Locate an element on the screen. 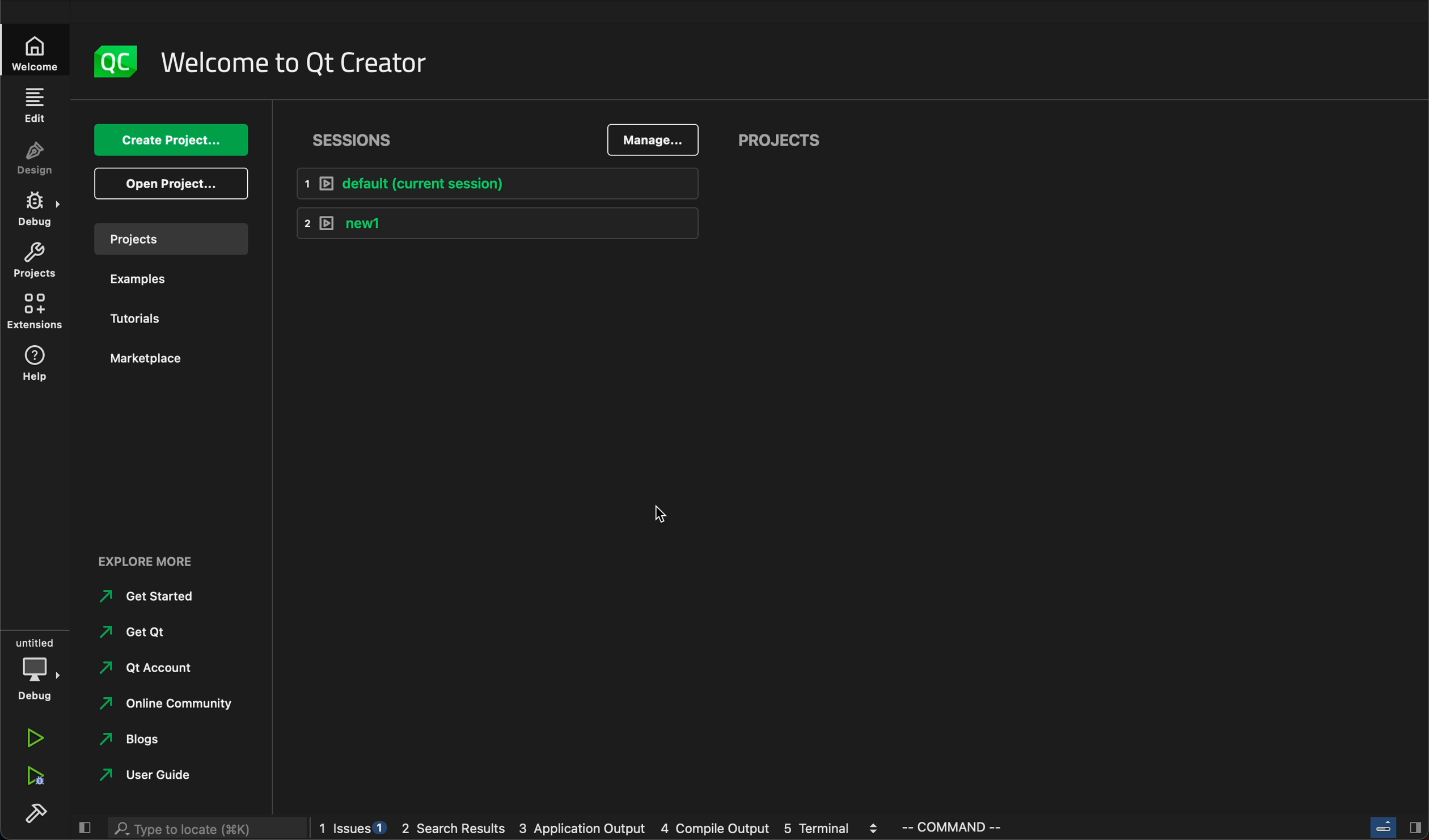 This screenshot has height=840, width=1429. search bar is located at coordinates (202, 829).